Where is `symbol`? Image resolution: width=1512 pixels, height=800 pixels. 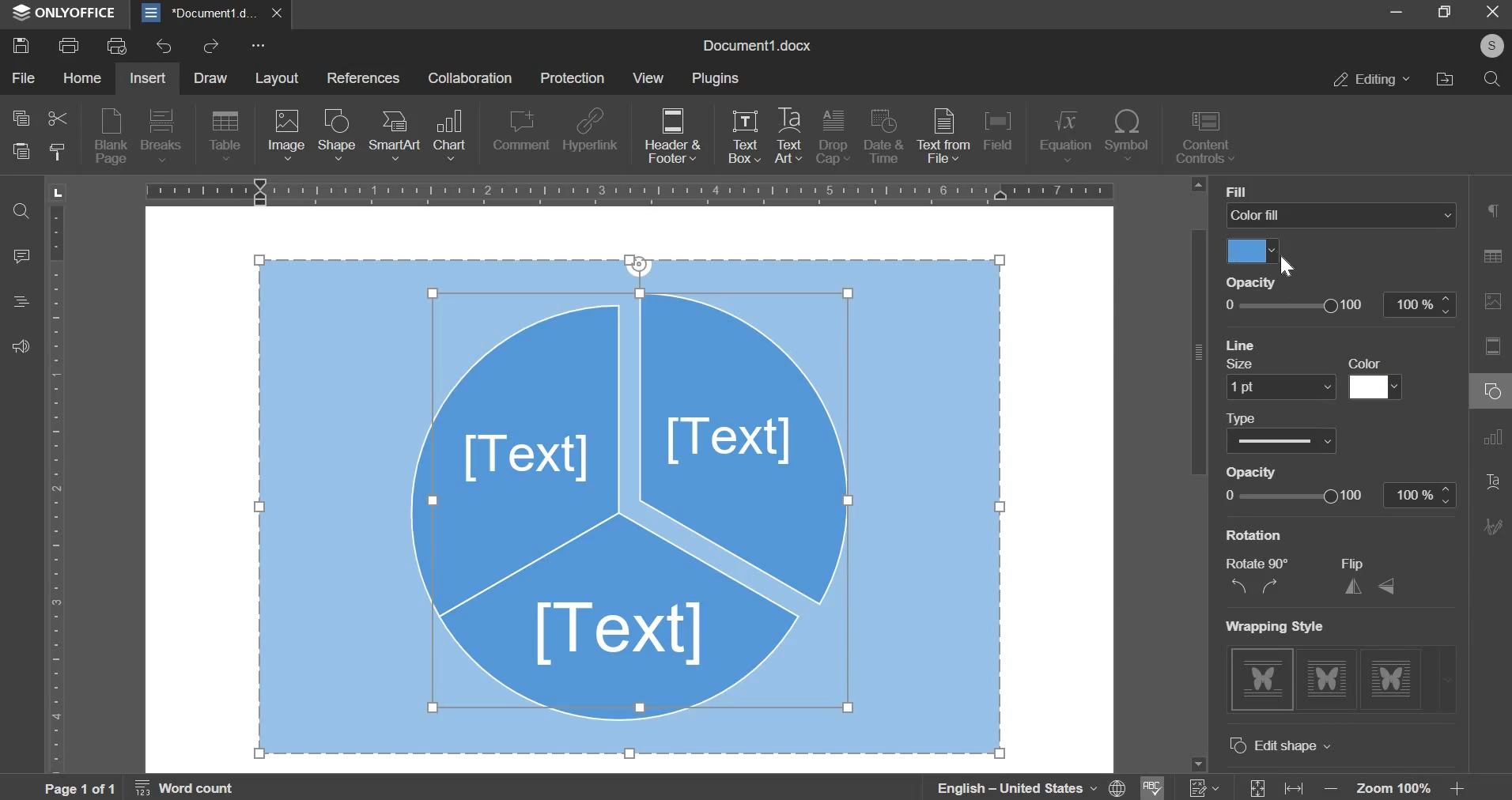 symbol is located at coordinates (1128, 135).